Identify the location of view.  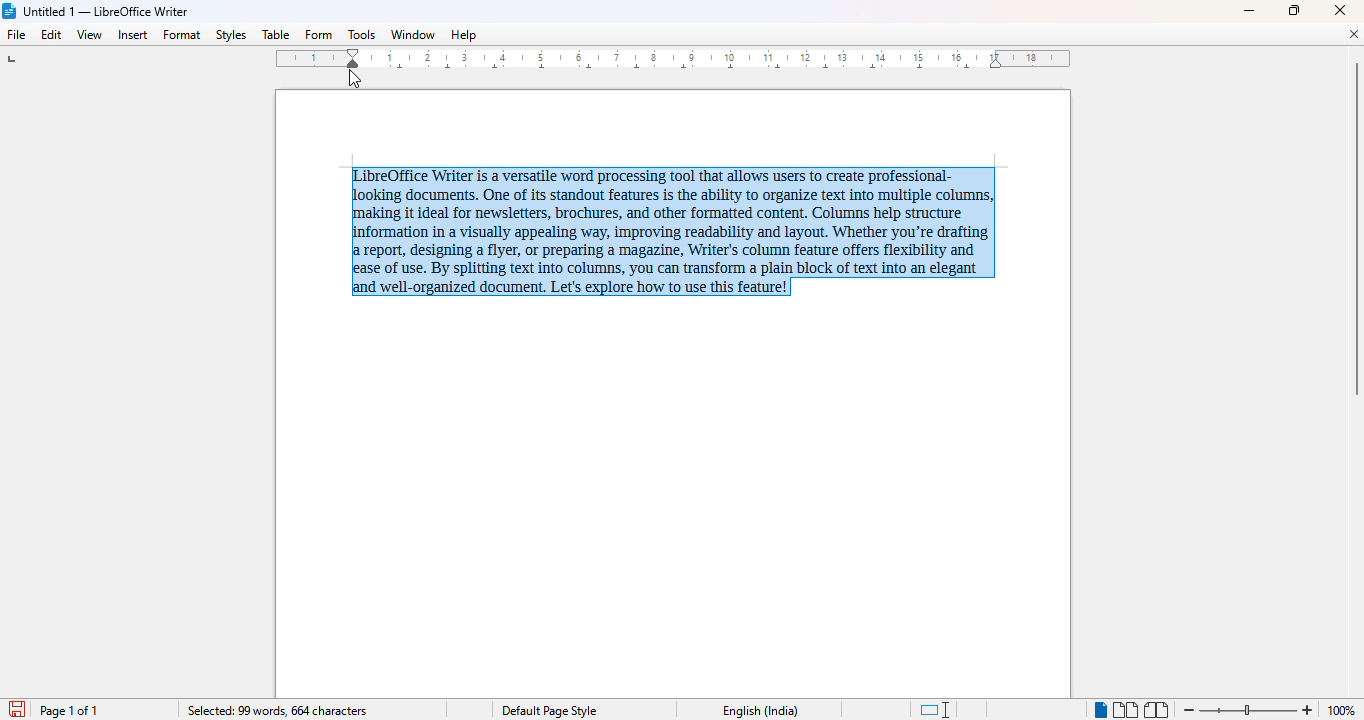
(90, 33).